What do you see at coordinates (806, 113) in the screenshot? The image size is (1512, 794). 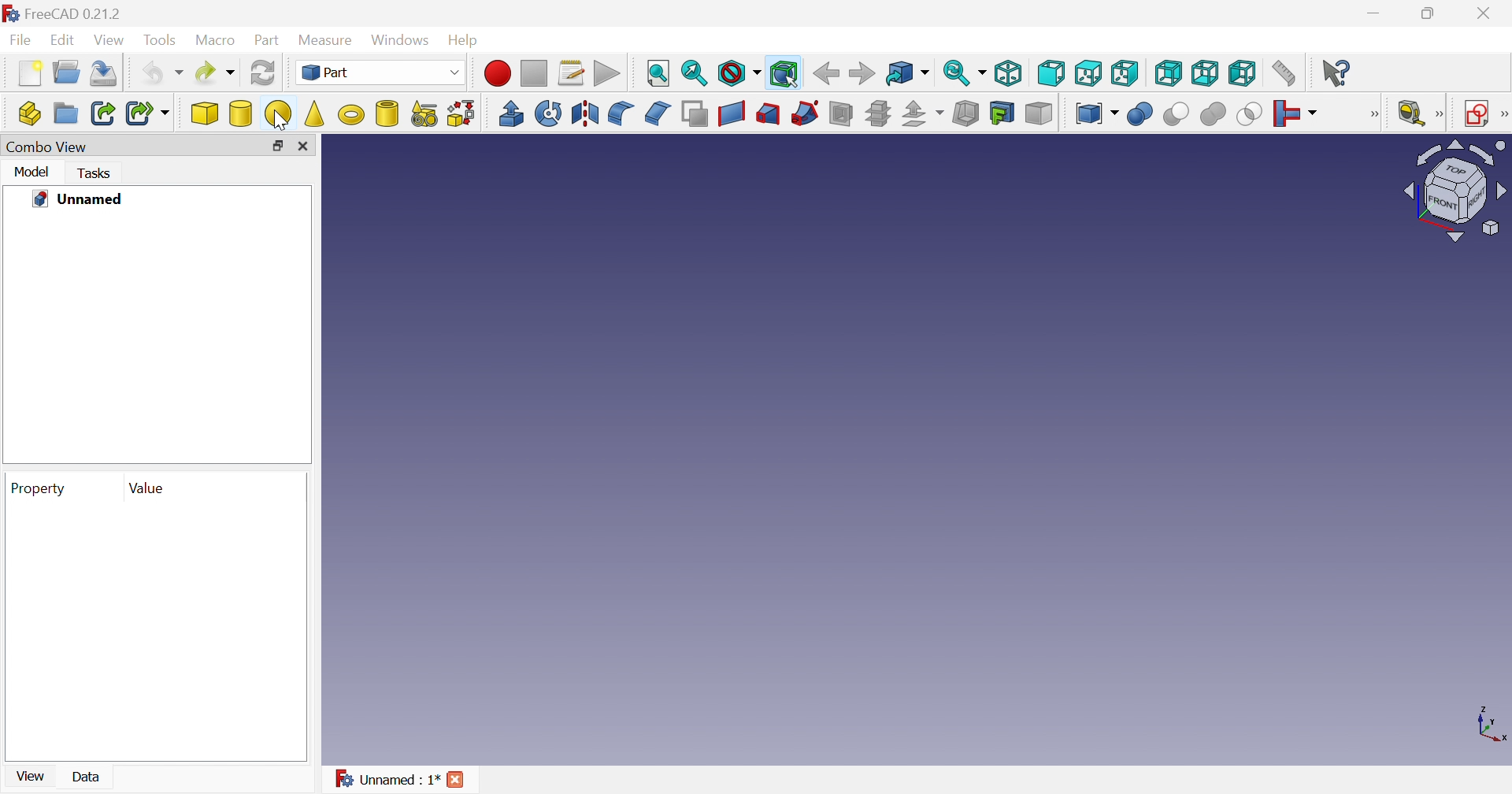 I see `Sweep...` at bounding box center [806, 113].